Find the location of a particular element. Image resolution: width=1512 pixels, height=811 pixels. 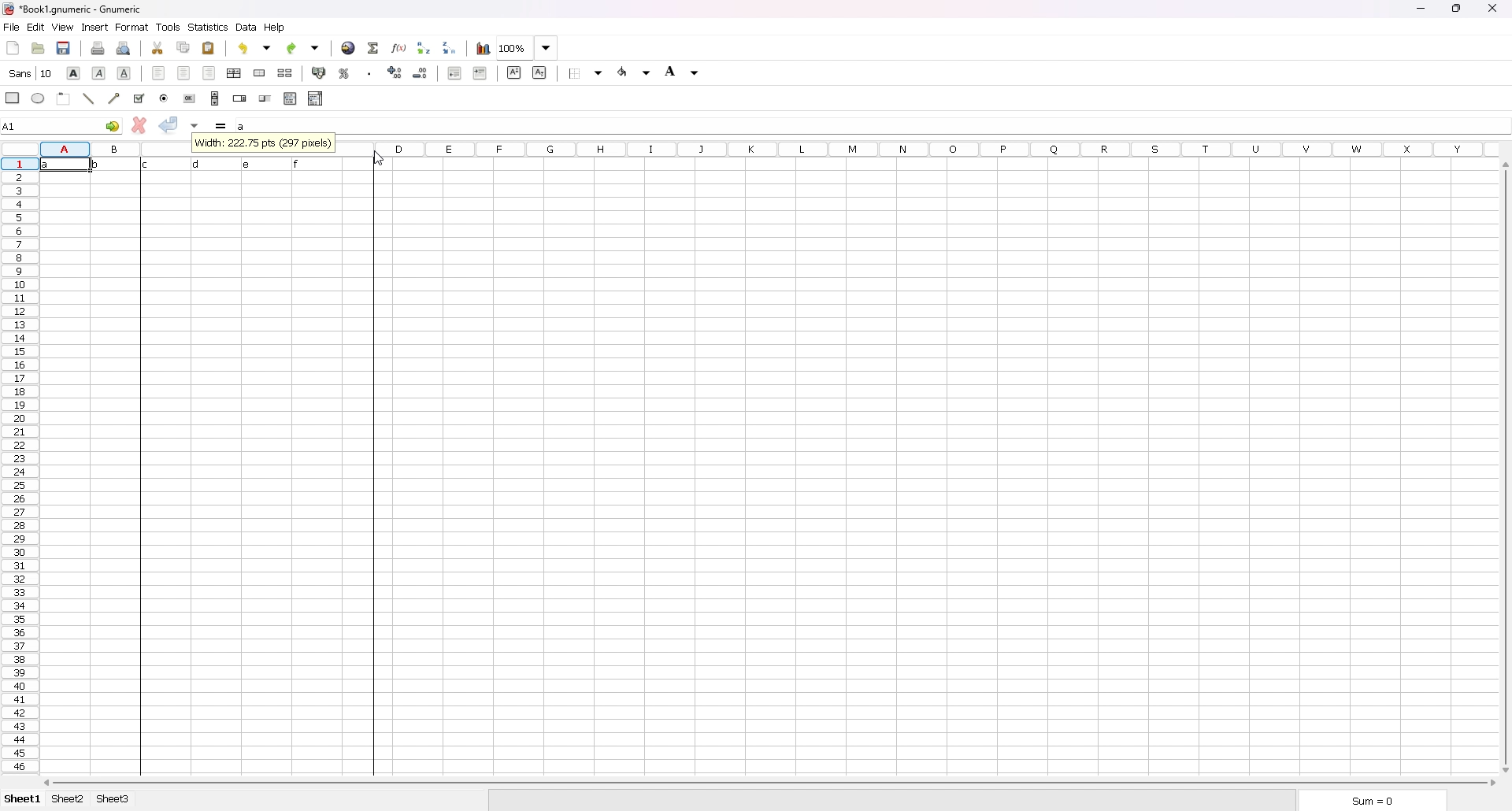

border is located at coordinates (587, 72).